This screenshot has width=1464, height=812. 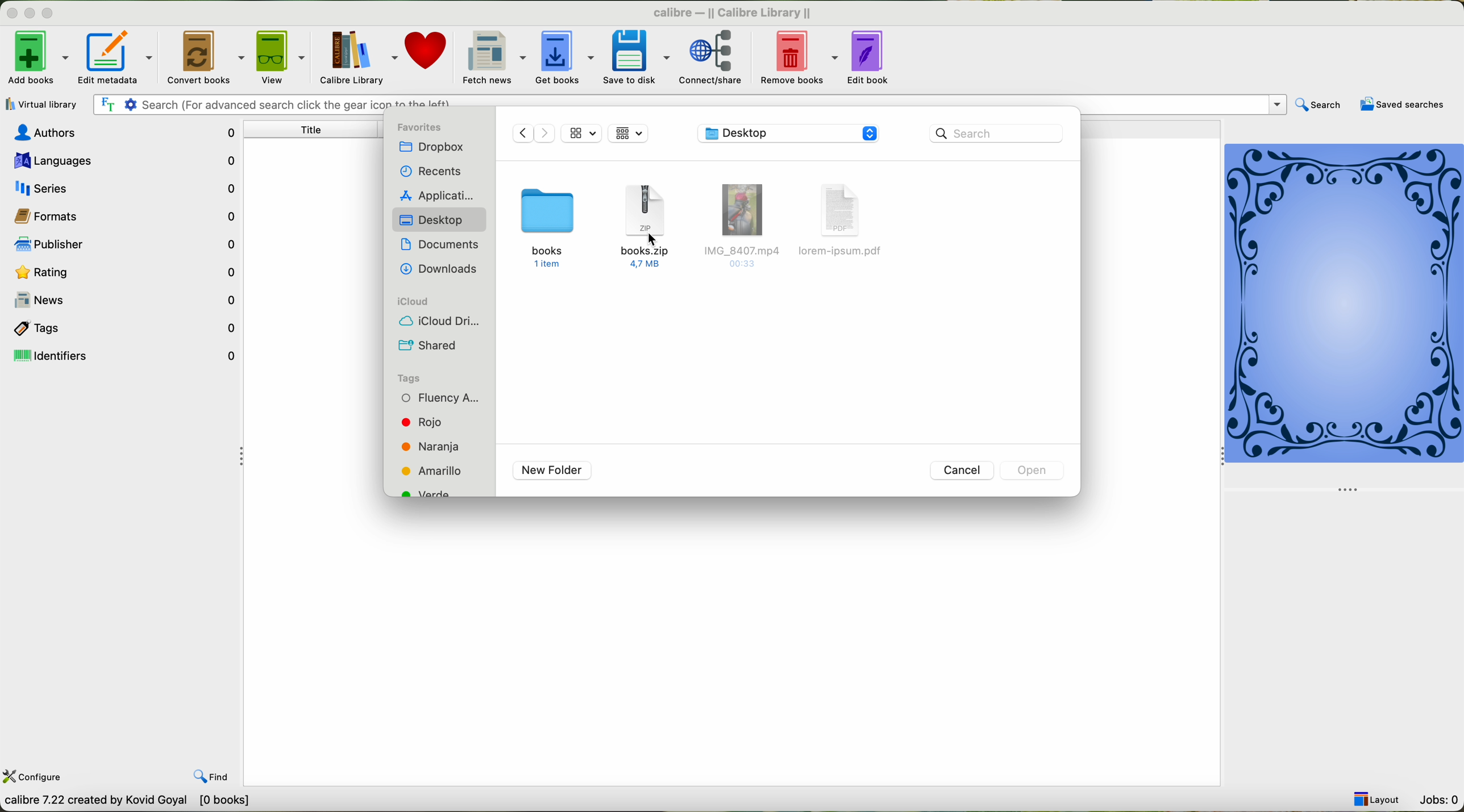 What do you see at coordinates (34, 778) in the screenshot?
I see `configure` at bounding box center [34, 778].